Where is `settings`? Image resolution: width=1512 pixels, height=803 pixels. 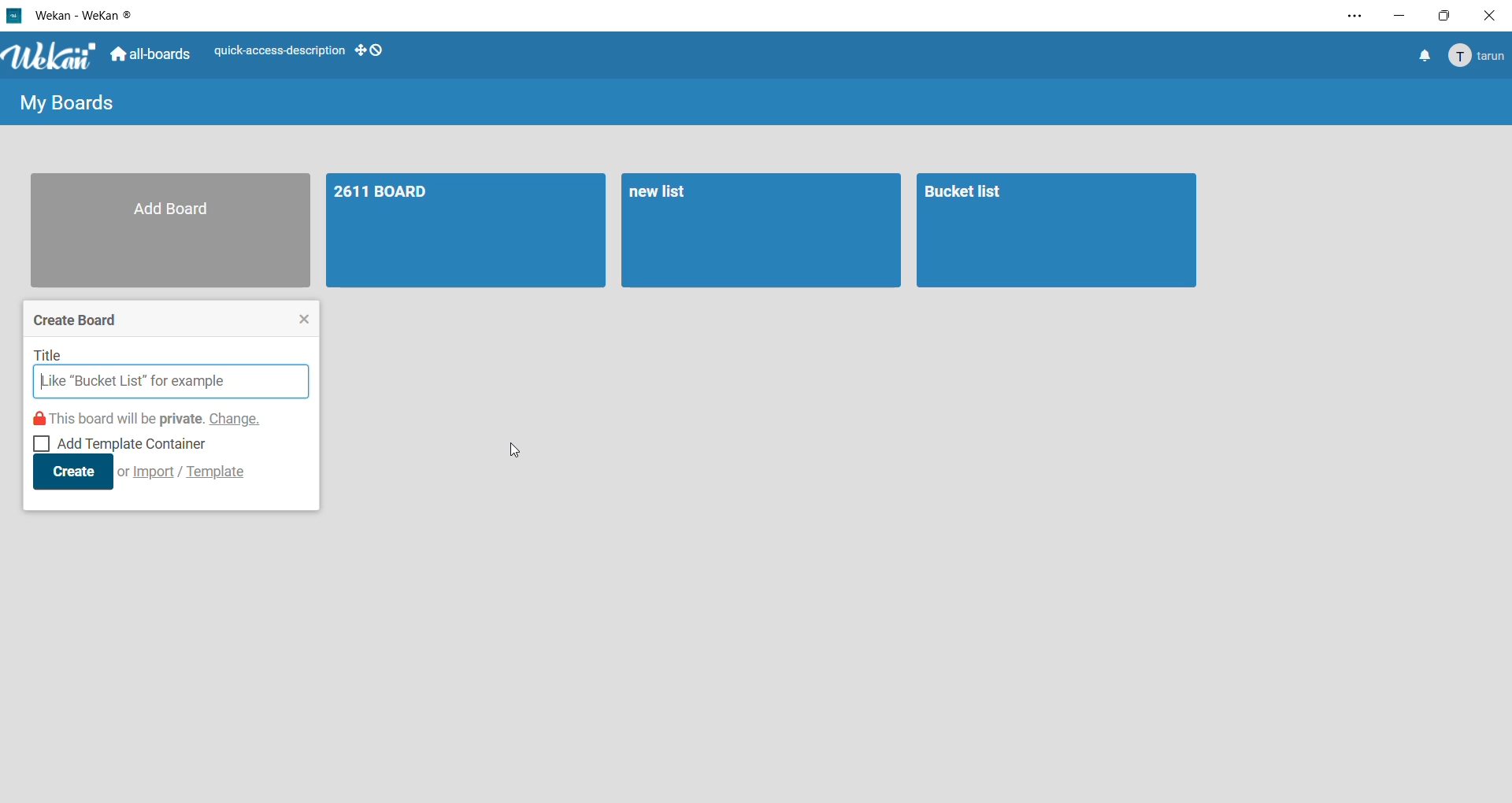
settings is located at coordinates (1358, 15).